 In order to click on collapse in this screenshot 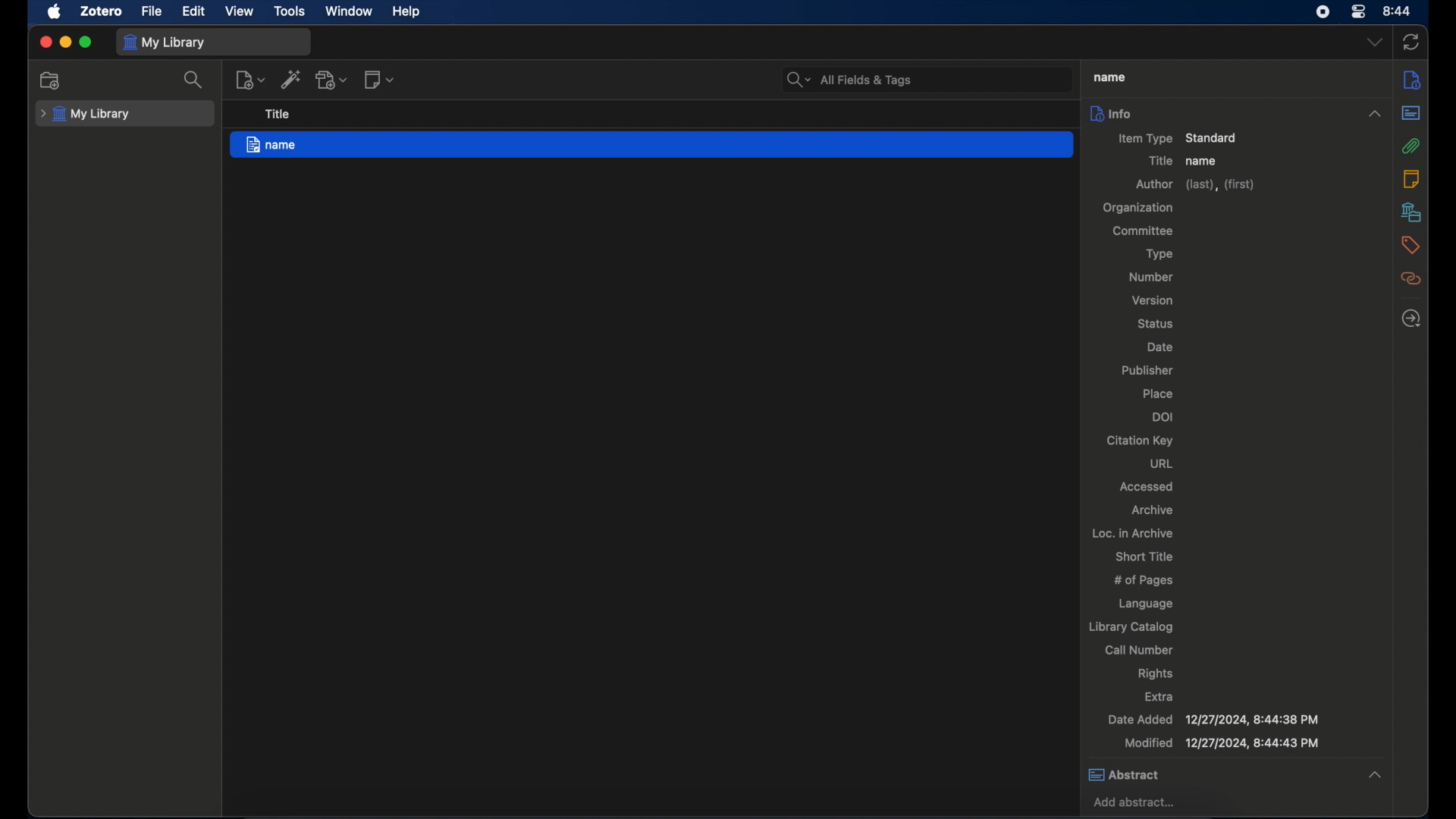, I will do `click(1379, 771)`.